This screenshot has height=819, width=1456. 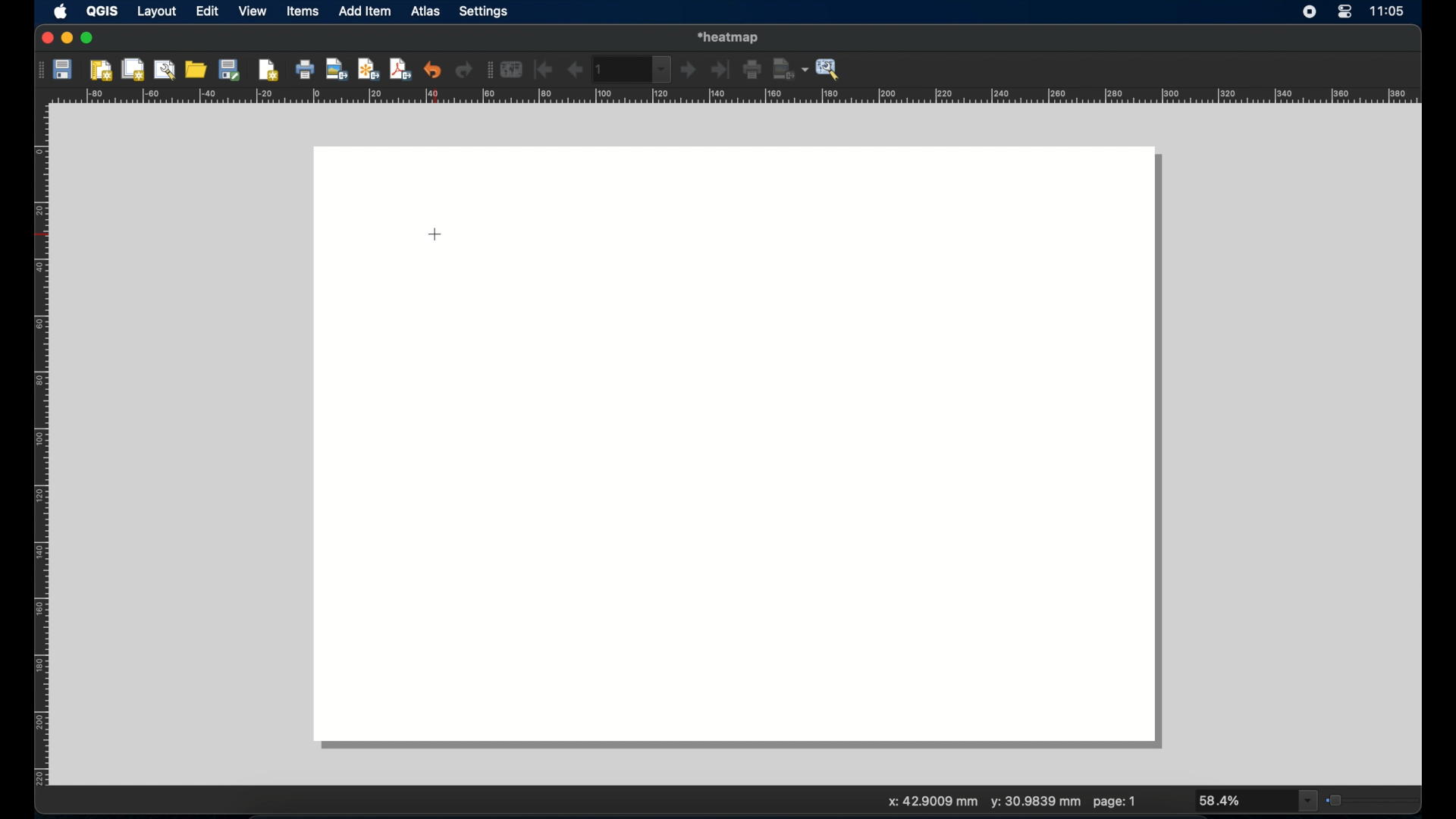 I want to click on layout manager, so click(x=166, y=70).